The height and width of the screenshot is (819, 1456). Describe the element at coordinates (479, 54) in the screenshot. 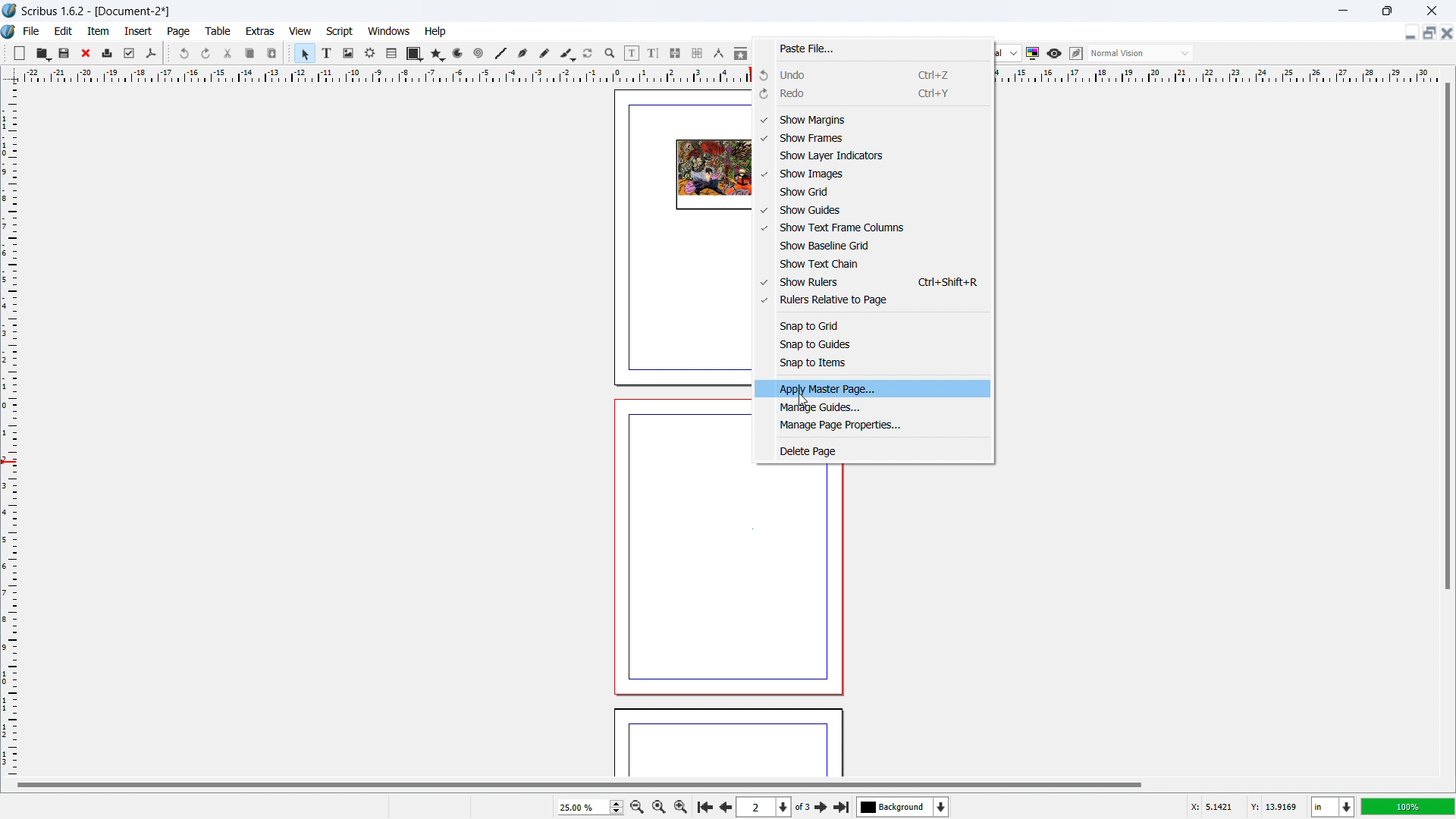

I see `spirals` at that location.